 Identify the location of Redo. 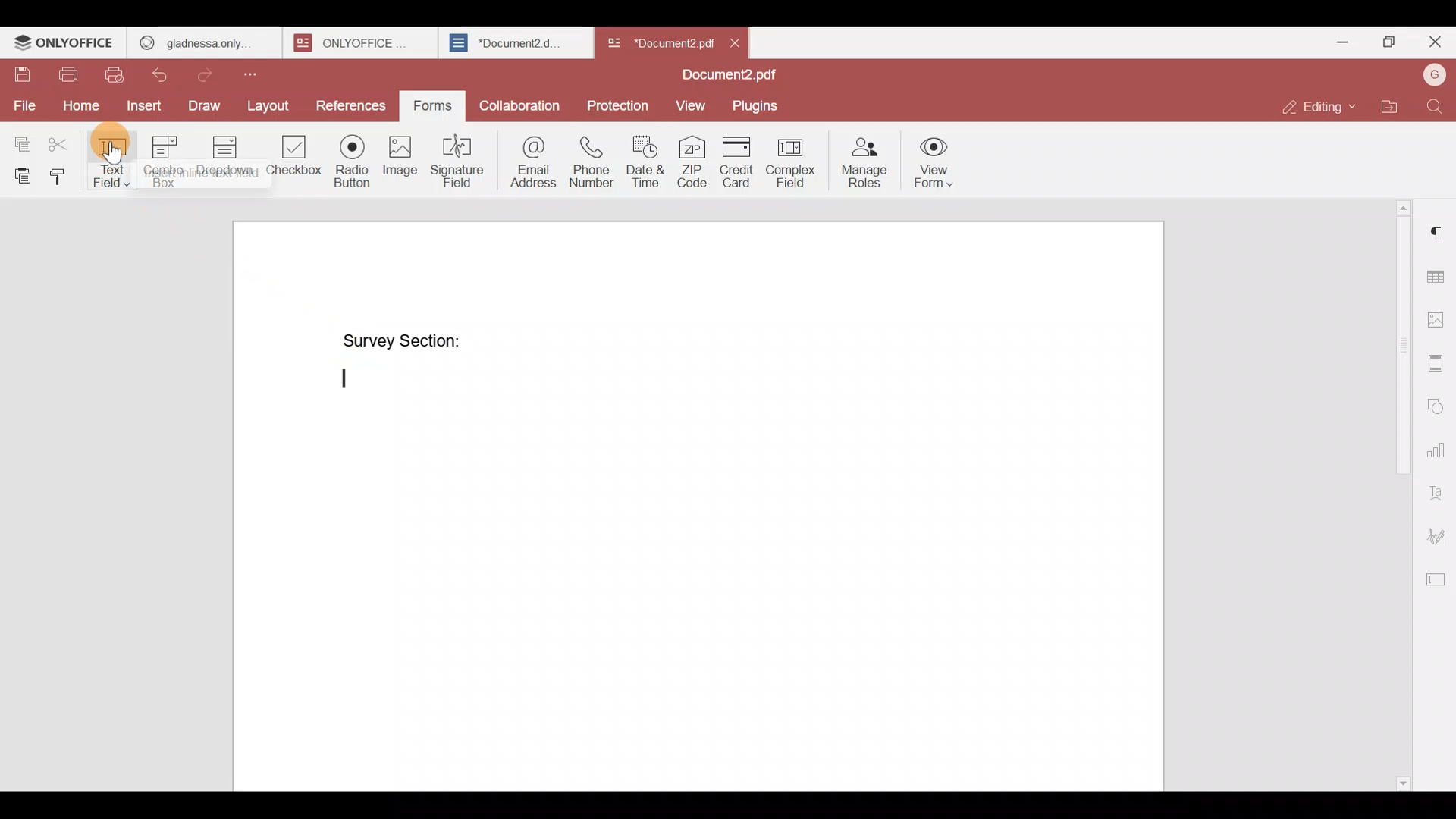
(210, 73).